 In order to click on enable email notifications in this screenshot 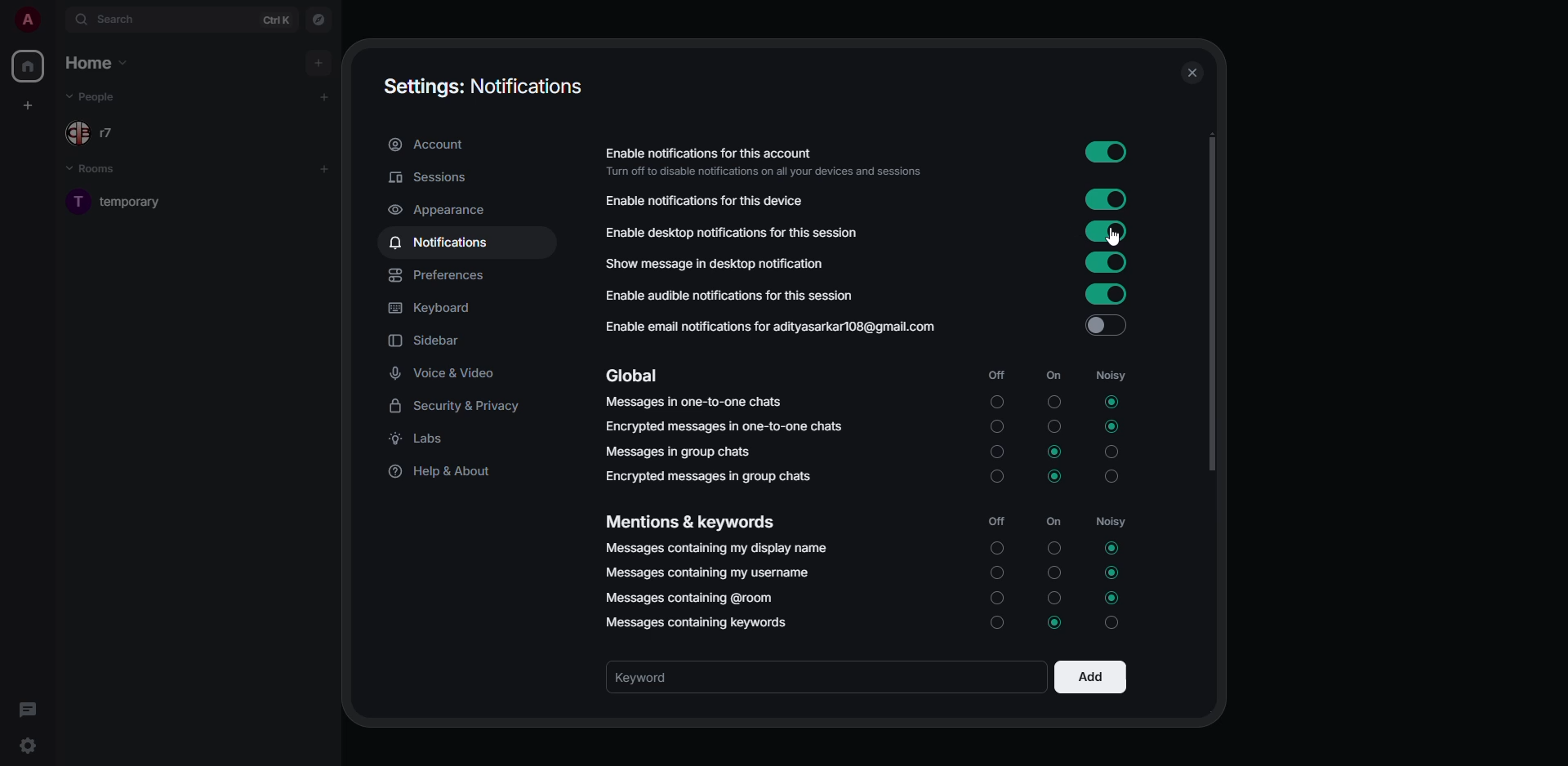, I will do `click(770, 326)`.